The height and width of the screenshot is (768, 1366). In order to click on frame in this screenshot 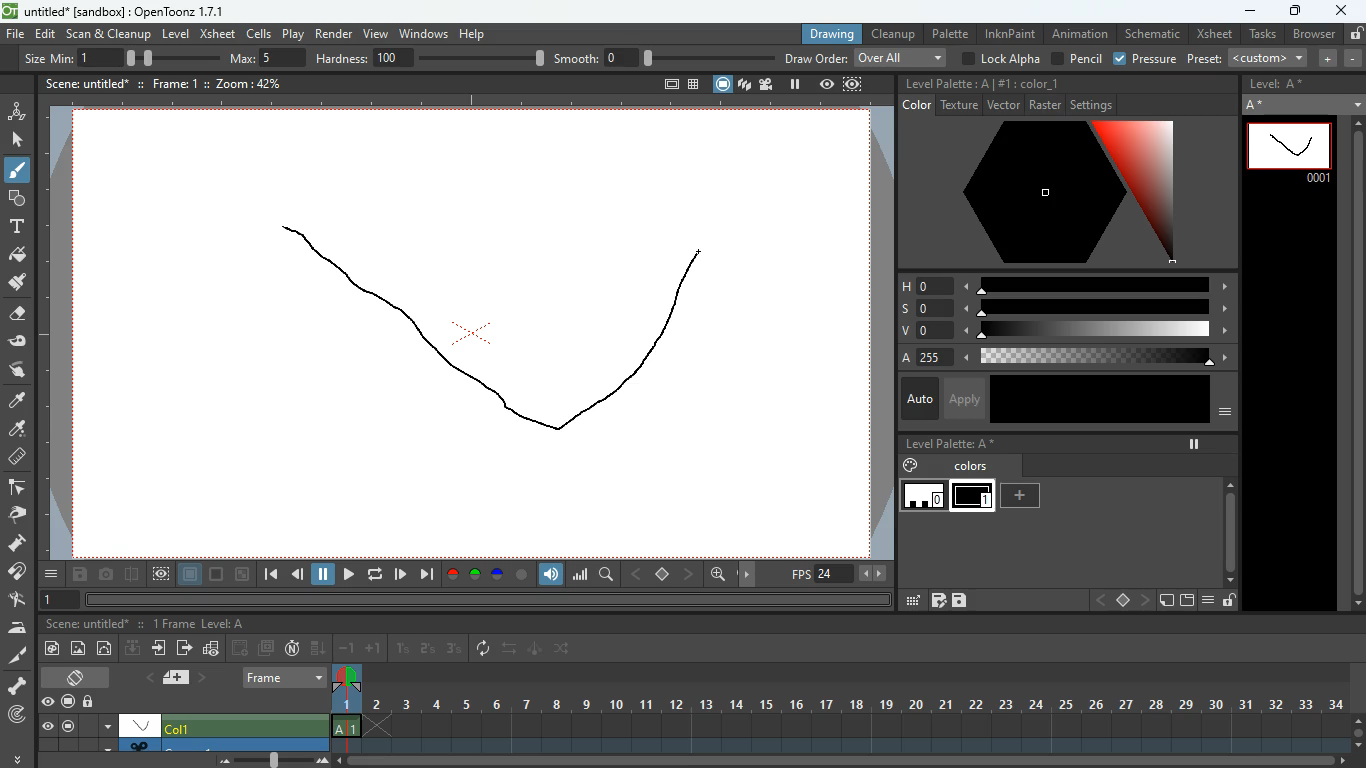, I will do `click(56, 601)`.